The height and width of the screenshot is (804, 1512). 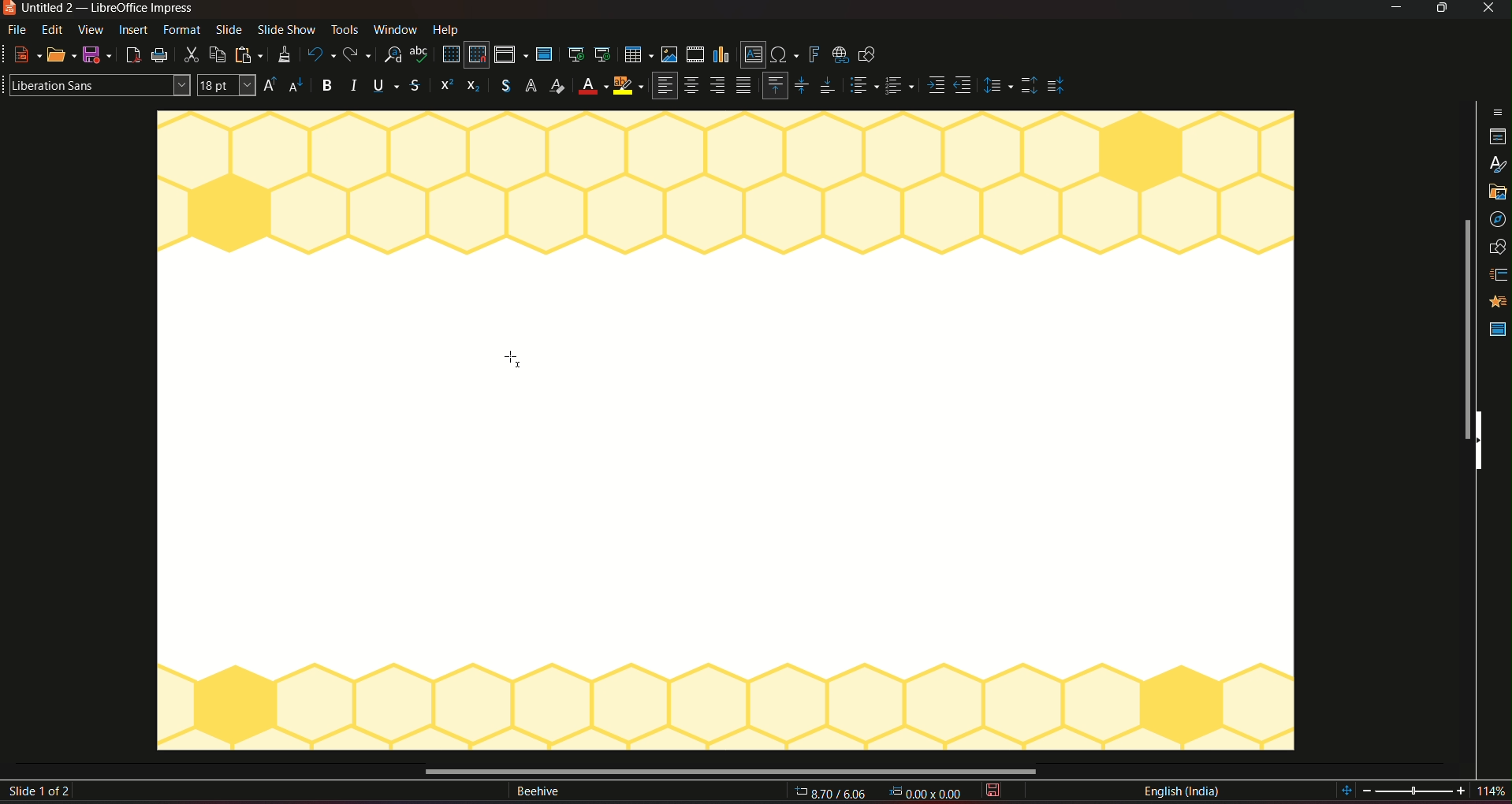 What do you see at coordinates (996, 791) in the screenshot?
I see `save` at bounding box center [996, 791].